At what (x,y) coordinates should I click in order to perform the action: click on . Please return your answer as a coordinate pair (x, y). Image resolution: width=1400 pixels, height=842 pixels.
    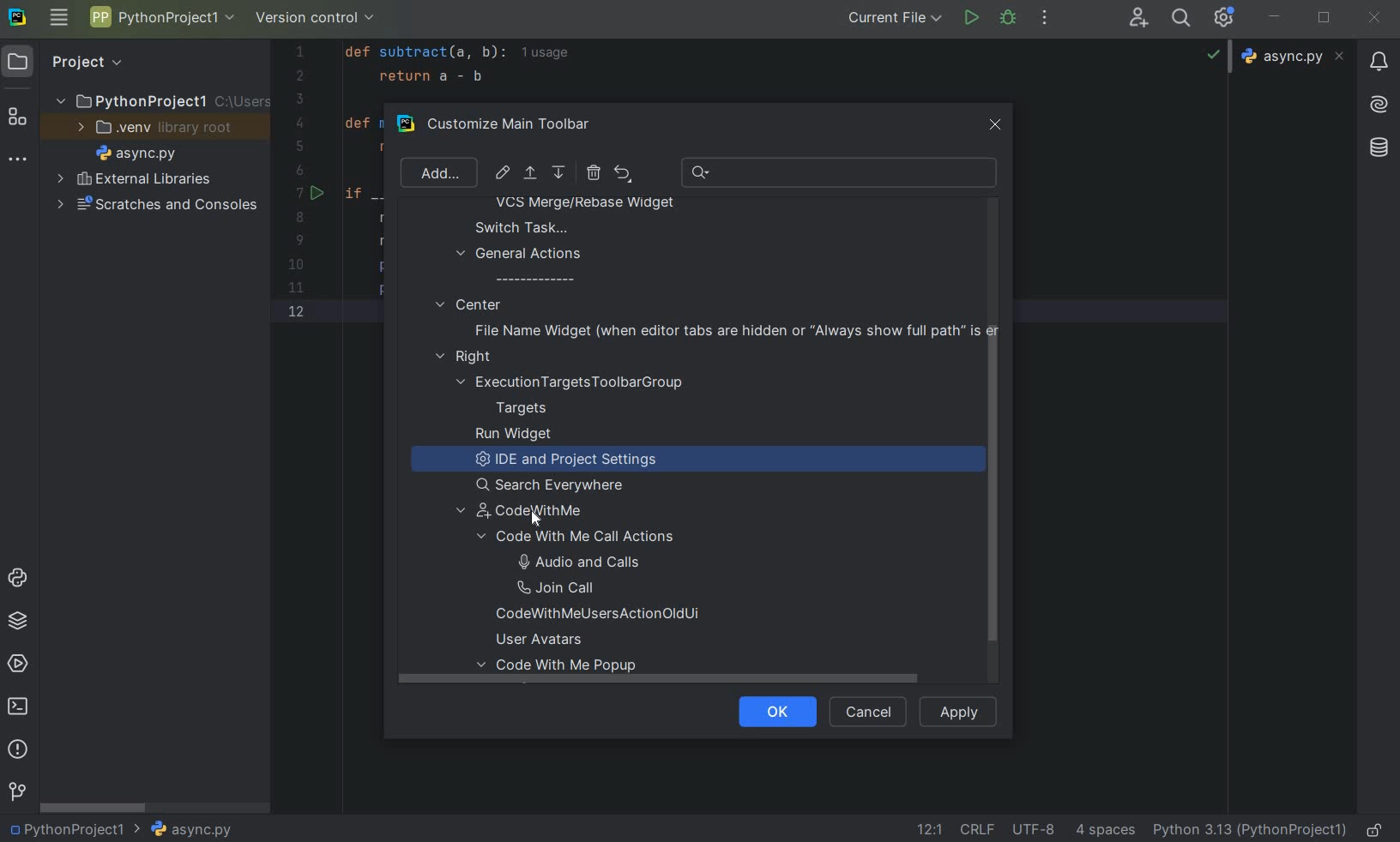
    Looking at the image, I should click on (1377, 148).